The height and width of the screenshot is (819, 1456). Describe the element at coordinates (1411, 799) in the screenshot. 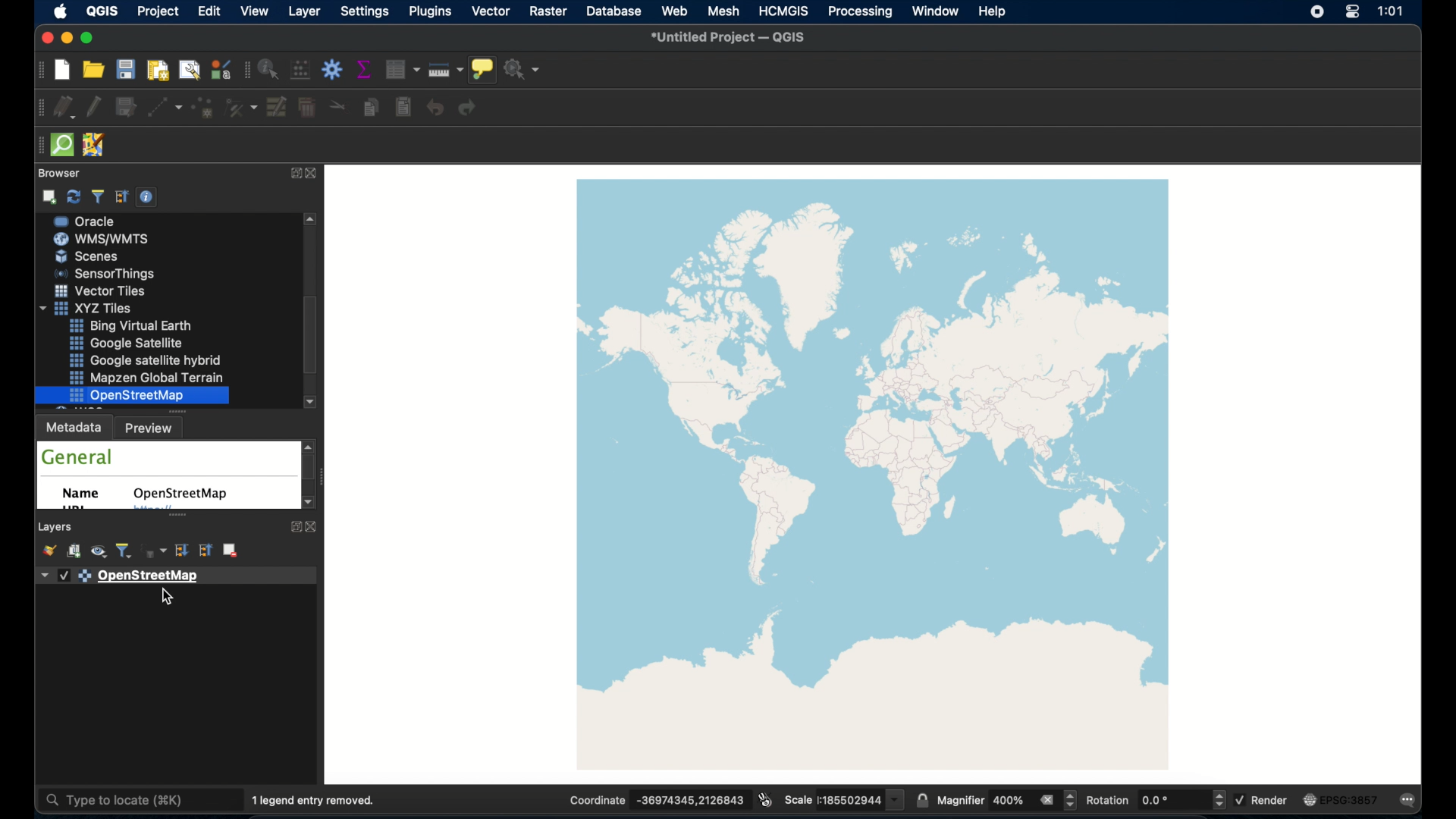

I see `messages` at that location.